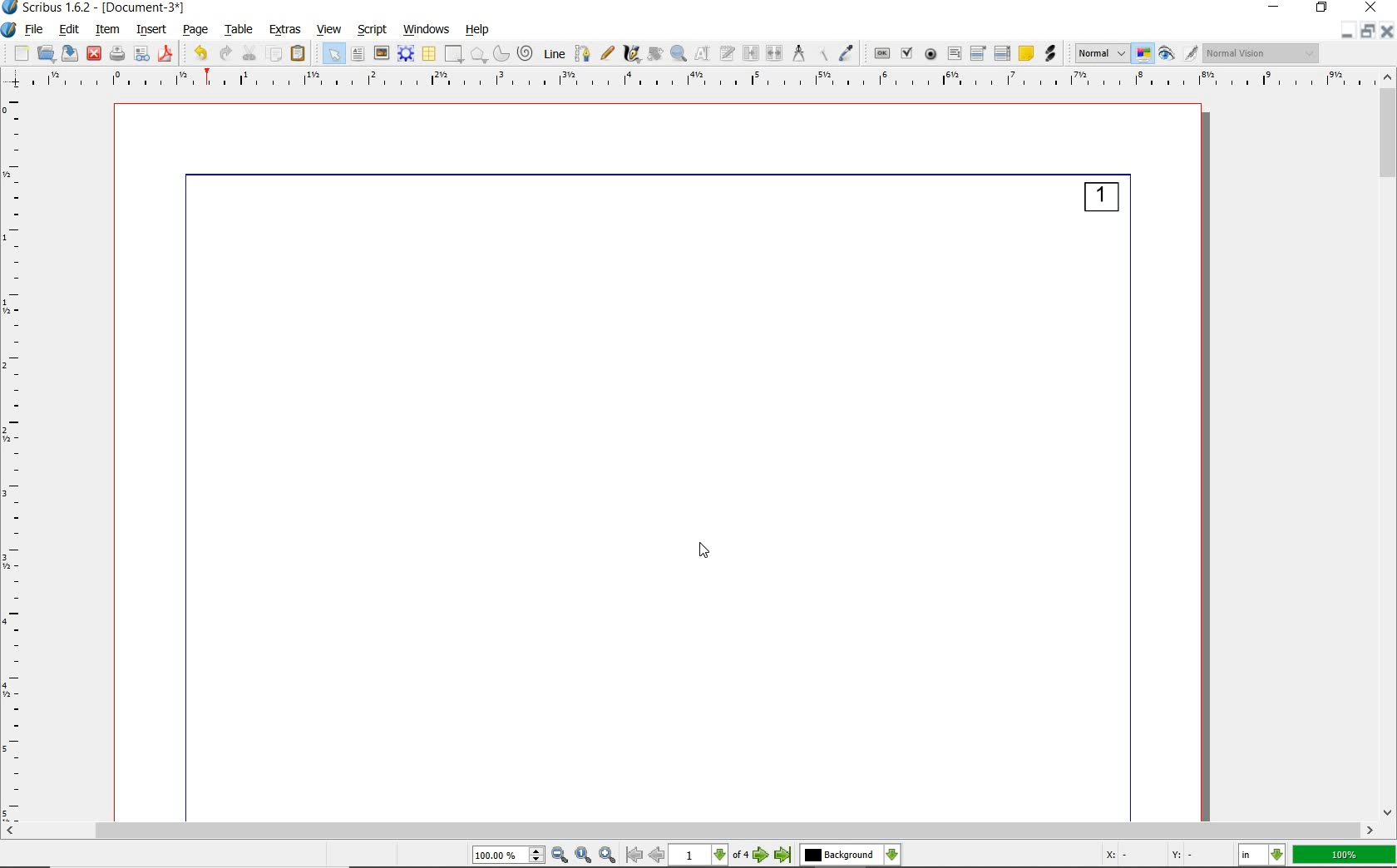 The image size is (1397, 868). Describe the element at coordinates (142, 54) in the screenshot. I see `preflight verifier` at that location.